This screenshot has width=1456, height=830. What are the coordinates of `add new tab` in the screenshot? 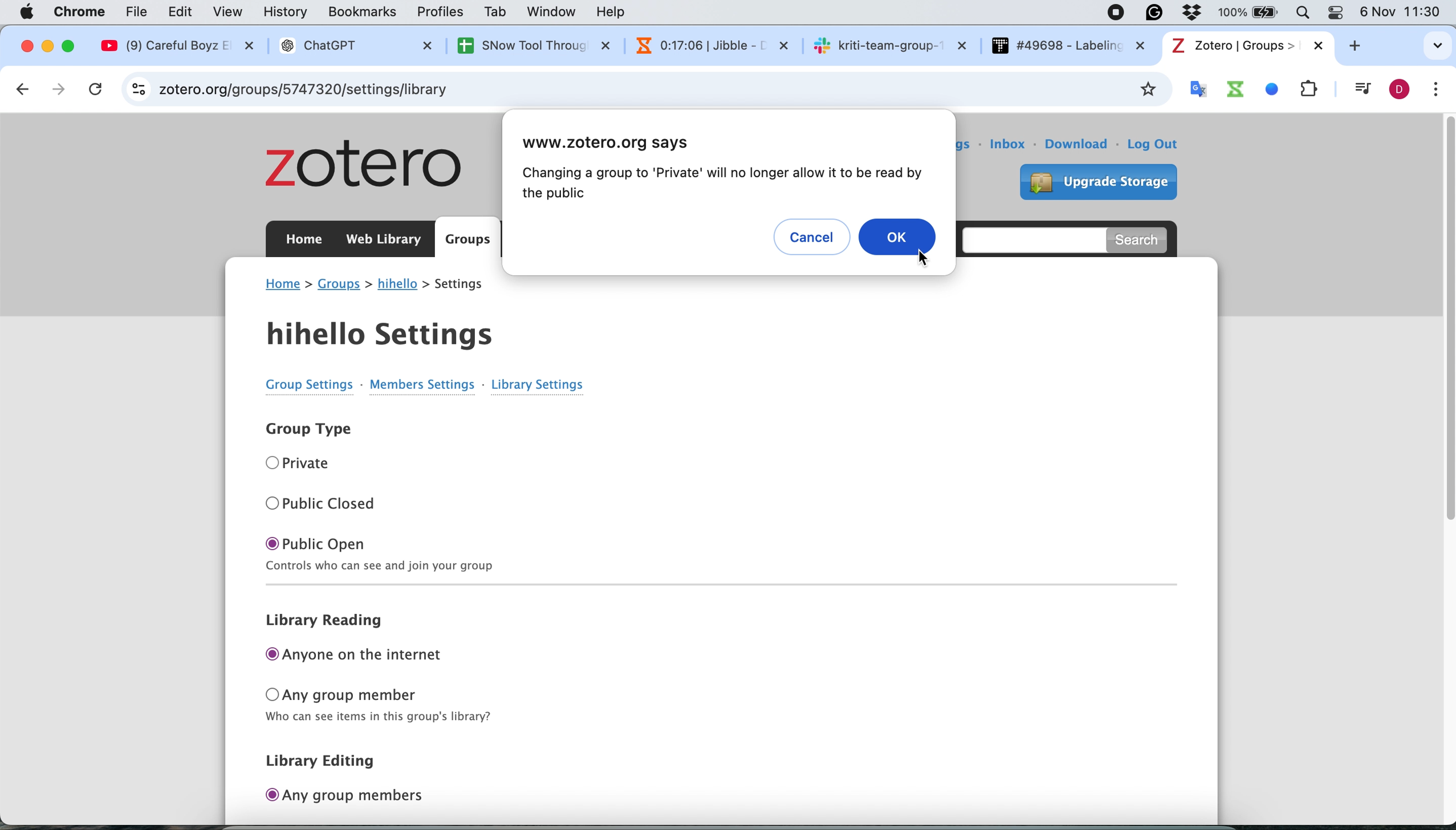 It's located at (1362, 48).